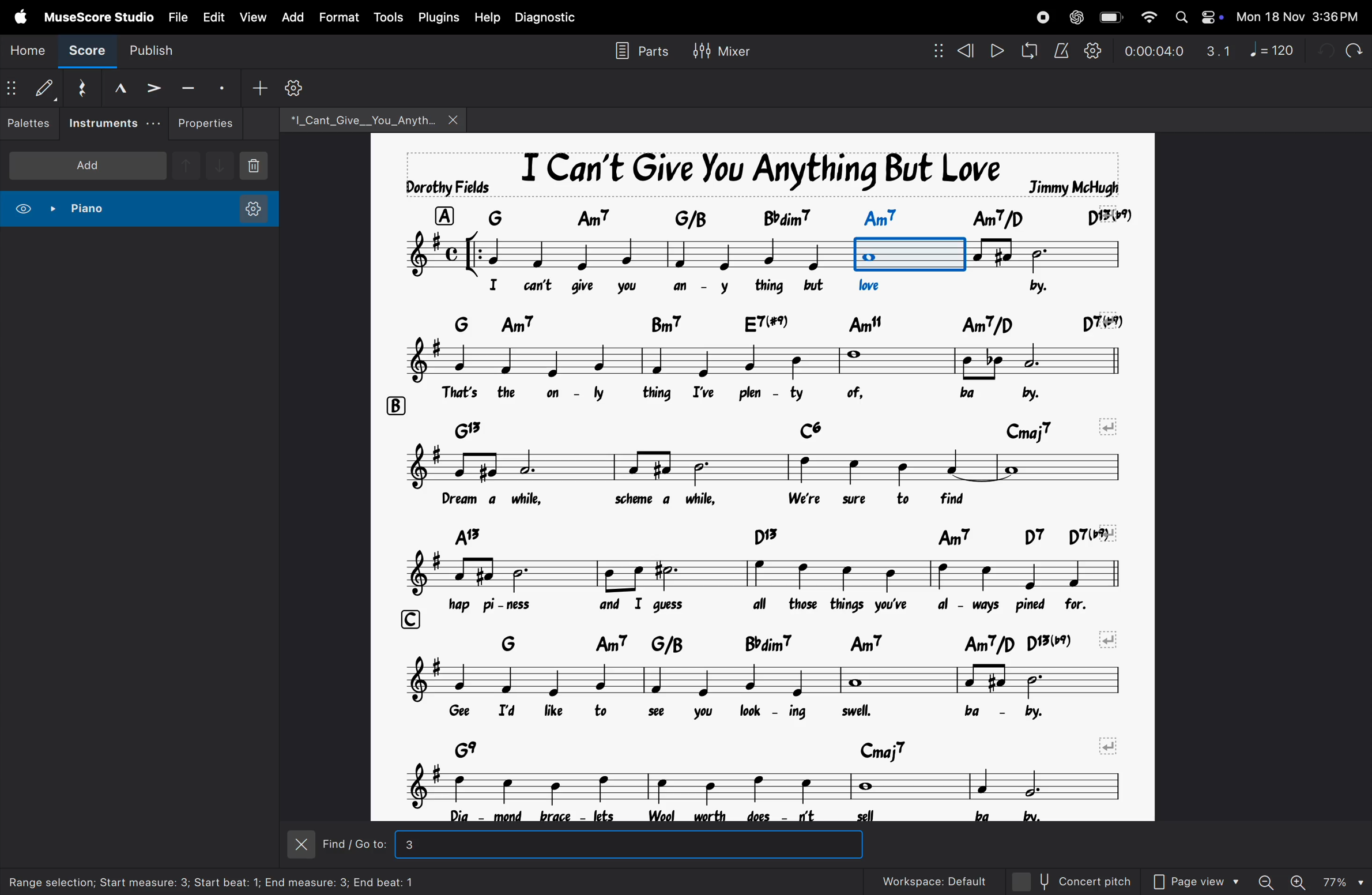 The height and width of the screenshot is (895, 1372). I want to click on apple widgets, so click(1196, 17).